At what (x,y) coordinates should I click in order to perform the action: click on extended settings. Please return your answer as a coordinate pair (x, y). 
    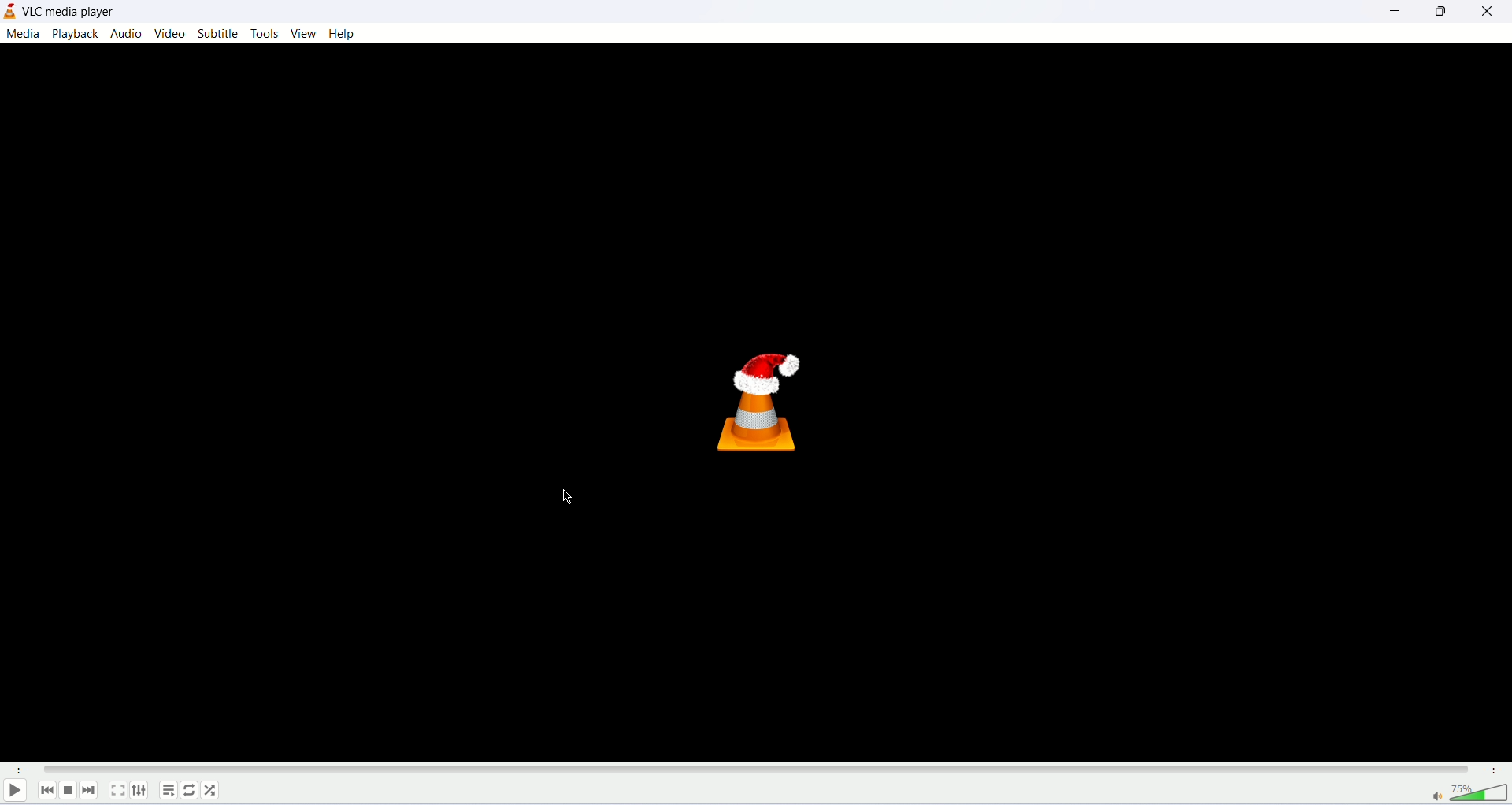
    Looking at the image, I should click on (139, 789).